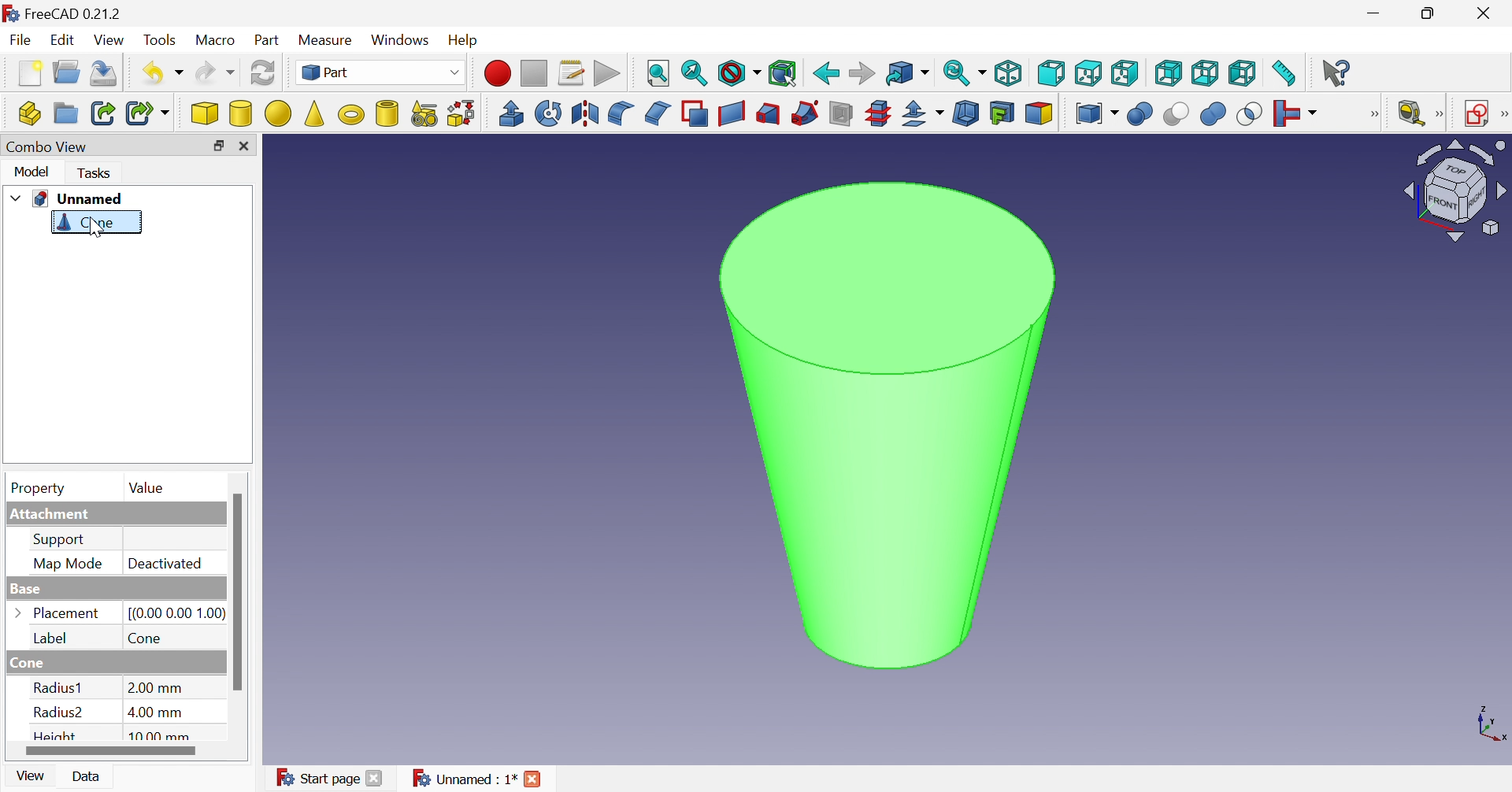 This screenshot has width=1512, height=792. What do you see at coordinates (103, 113) in the screenshot?
I see `Make link` at bounding box center [103, 113].